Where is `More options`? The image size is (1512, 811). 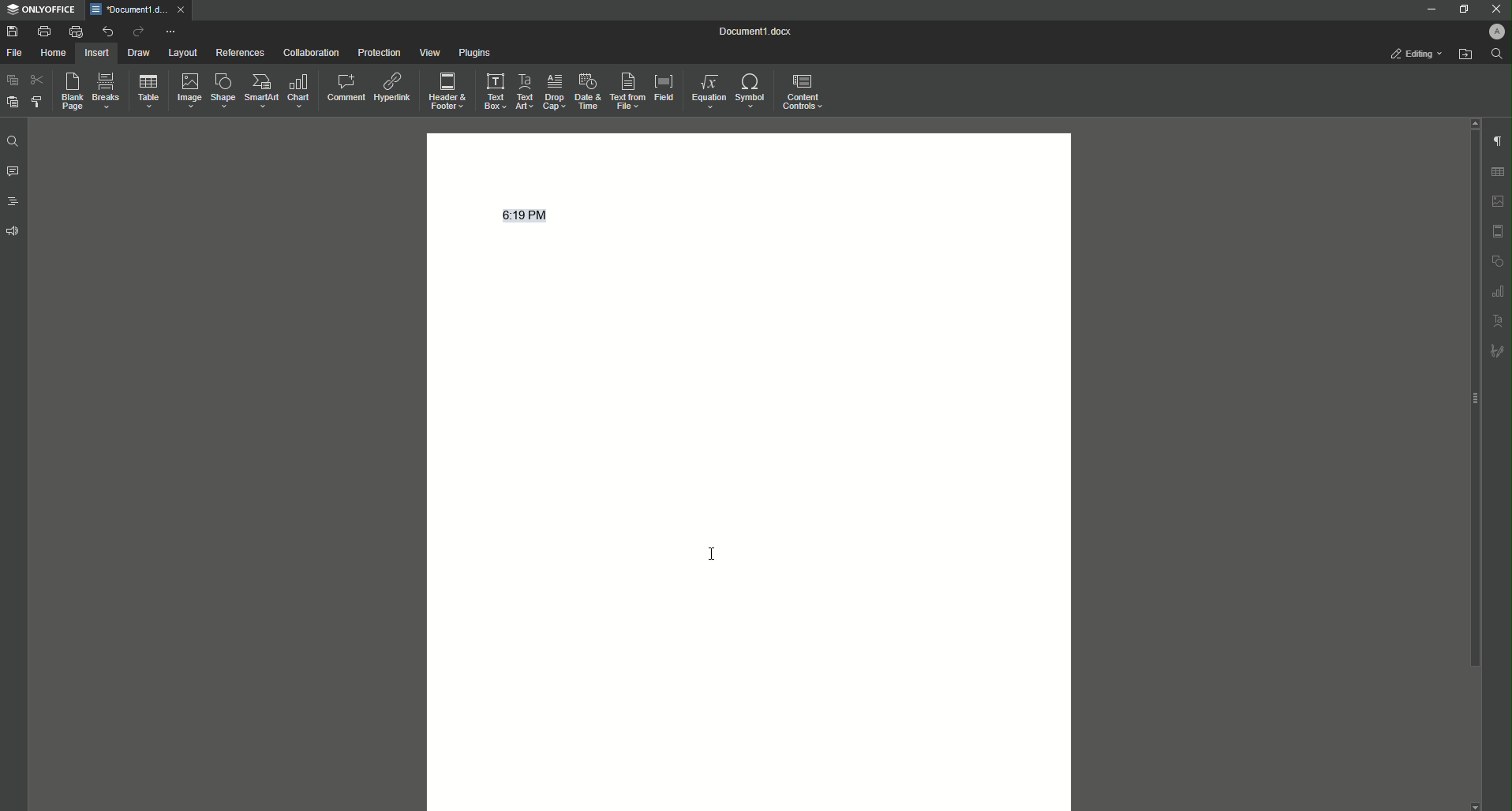
More options is located at coordinates (172, 32).